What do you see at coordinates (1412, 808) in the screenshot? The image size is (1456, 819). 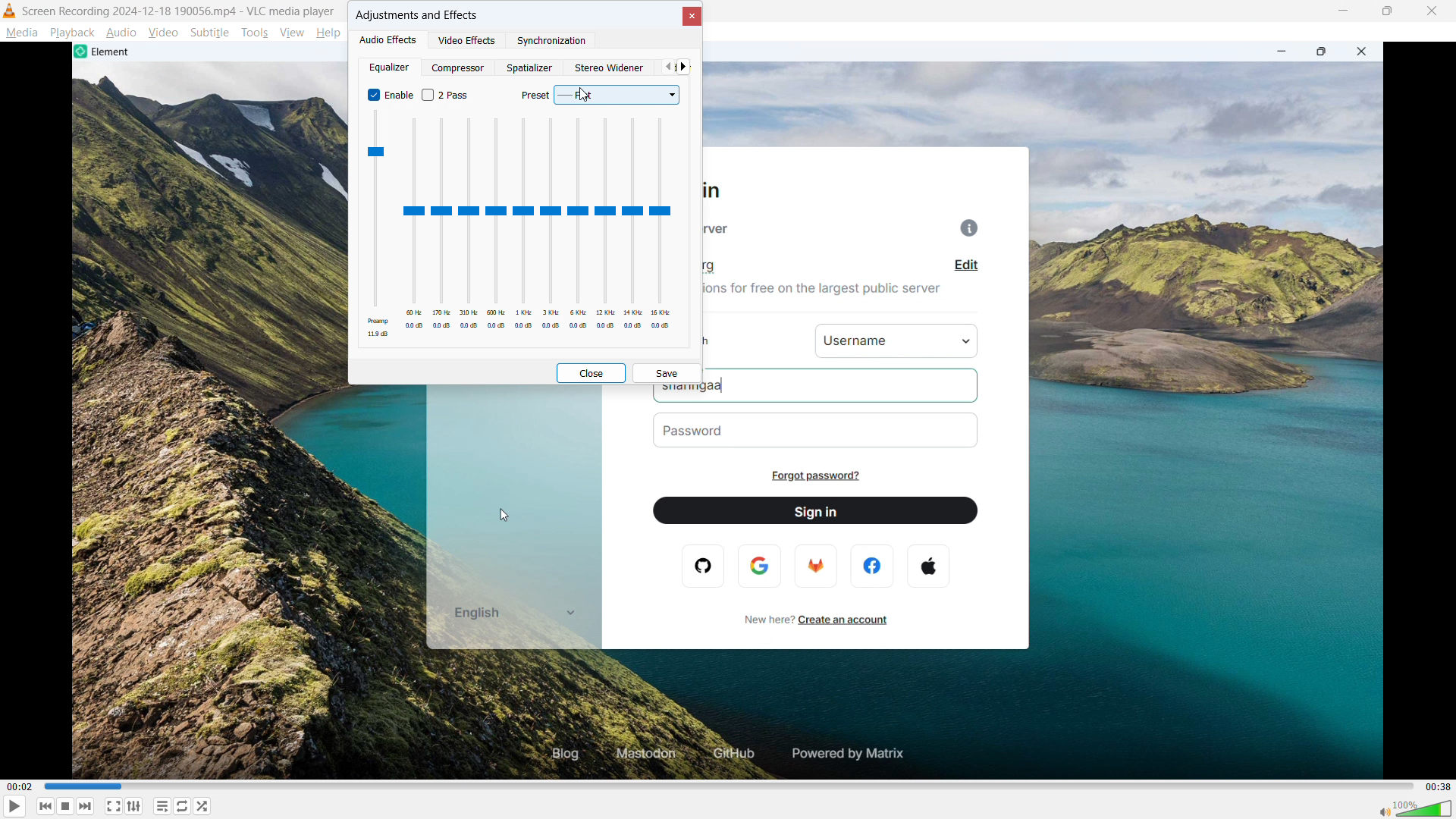 I see `volume bar` at bounding box center [1412, 808].